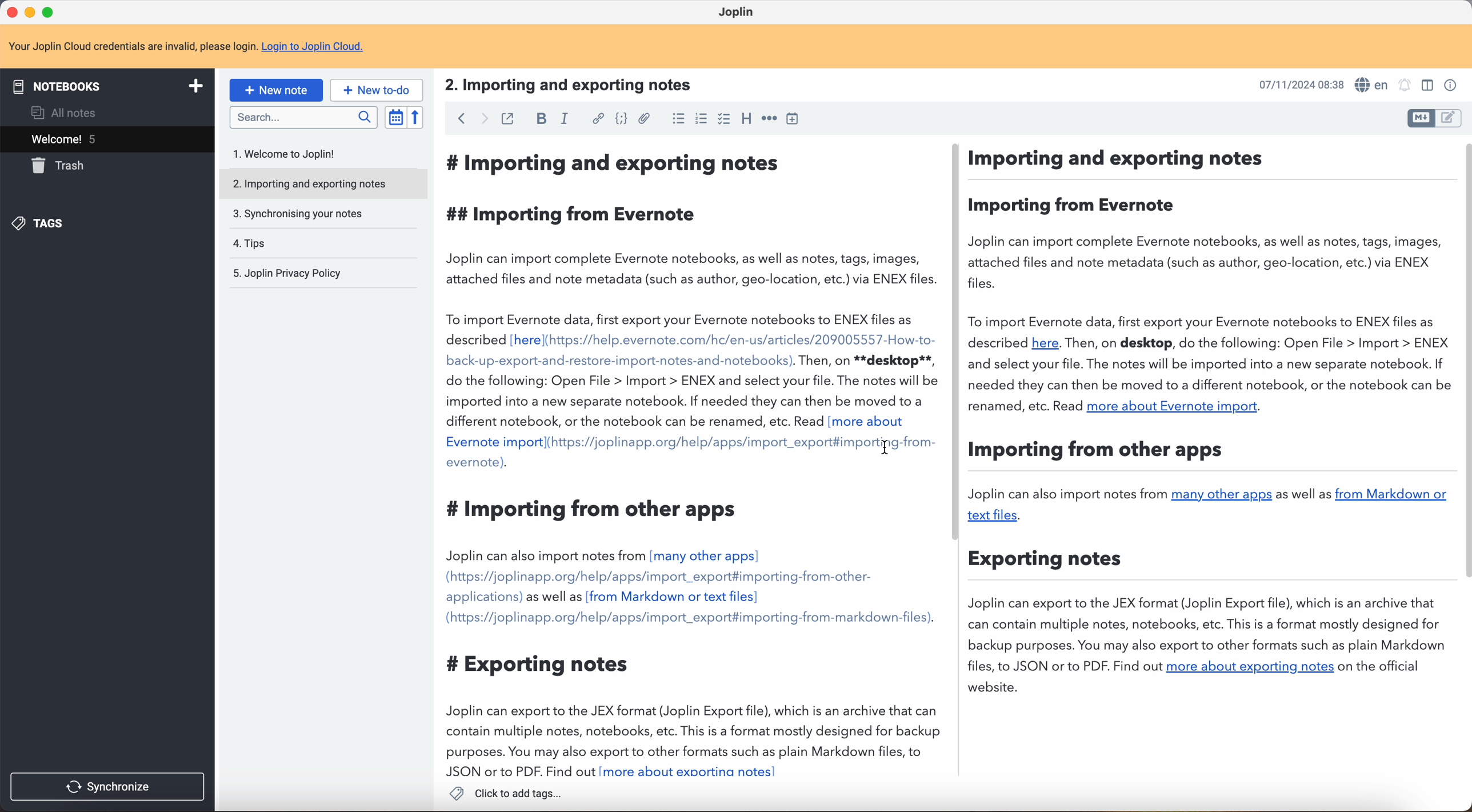  Describe the element at coordinates (196, 47) in the screenshot. I see `Your Joplin Cloud credentials are invalid, please login. Login to Joplin Cloud.` at that location.